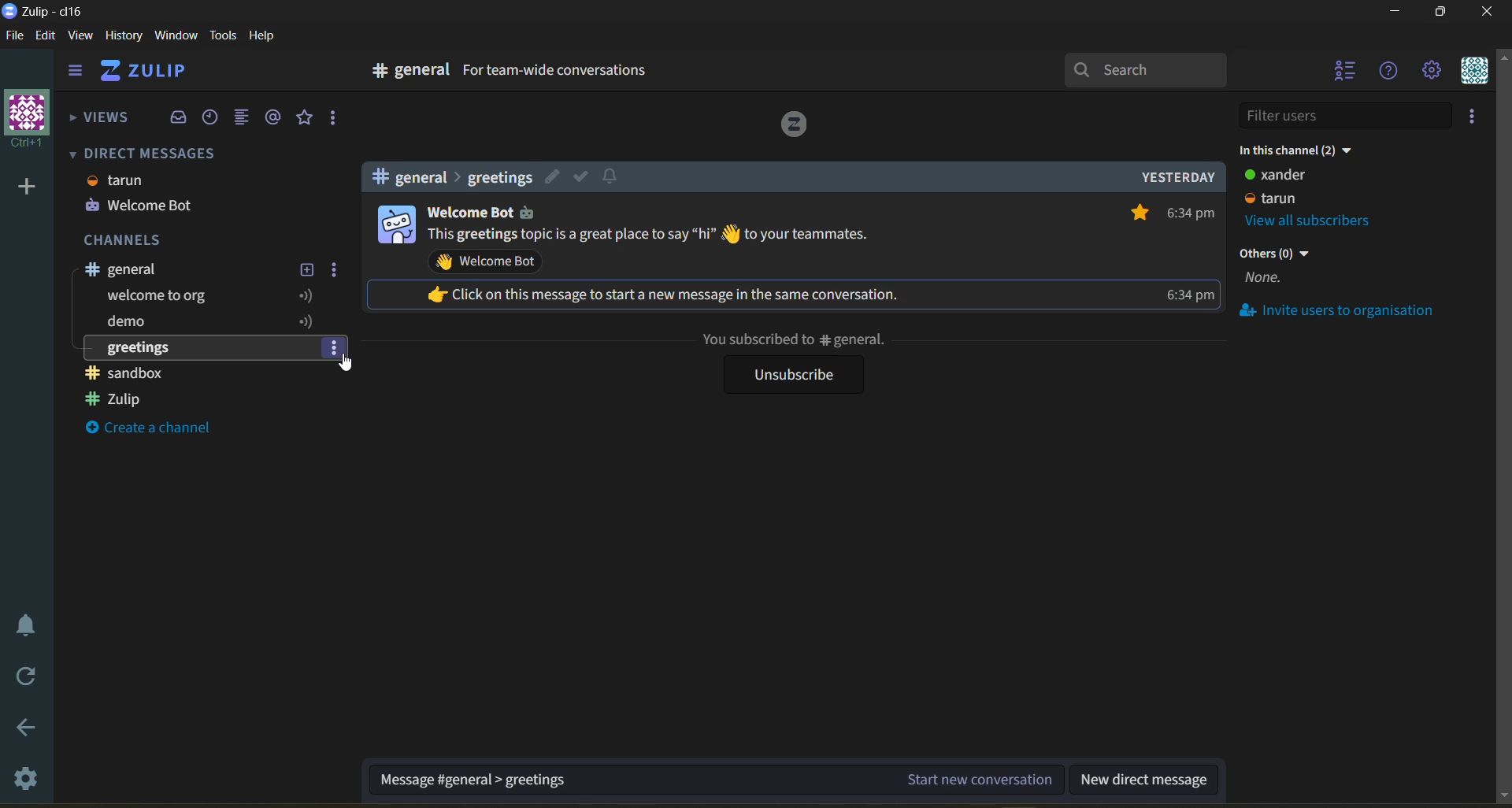  Describe the element at coordinates (1442, 13) in the screenshot. I see `maximize` at that location.